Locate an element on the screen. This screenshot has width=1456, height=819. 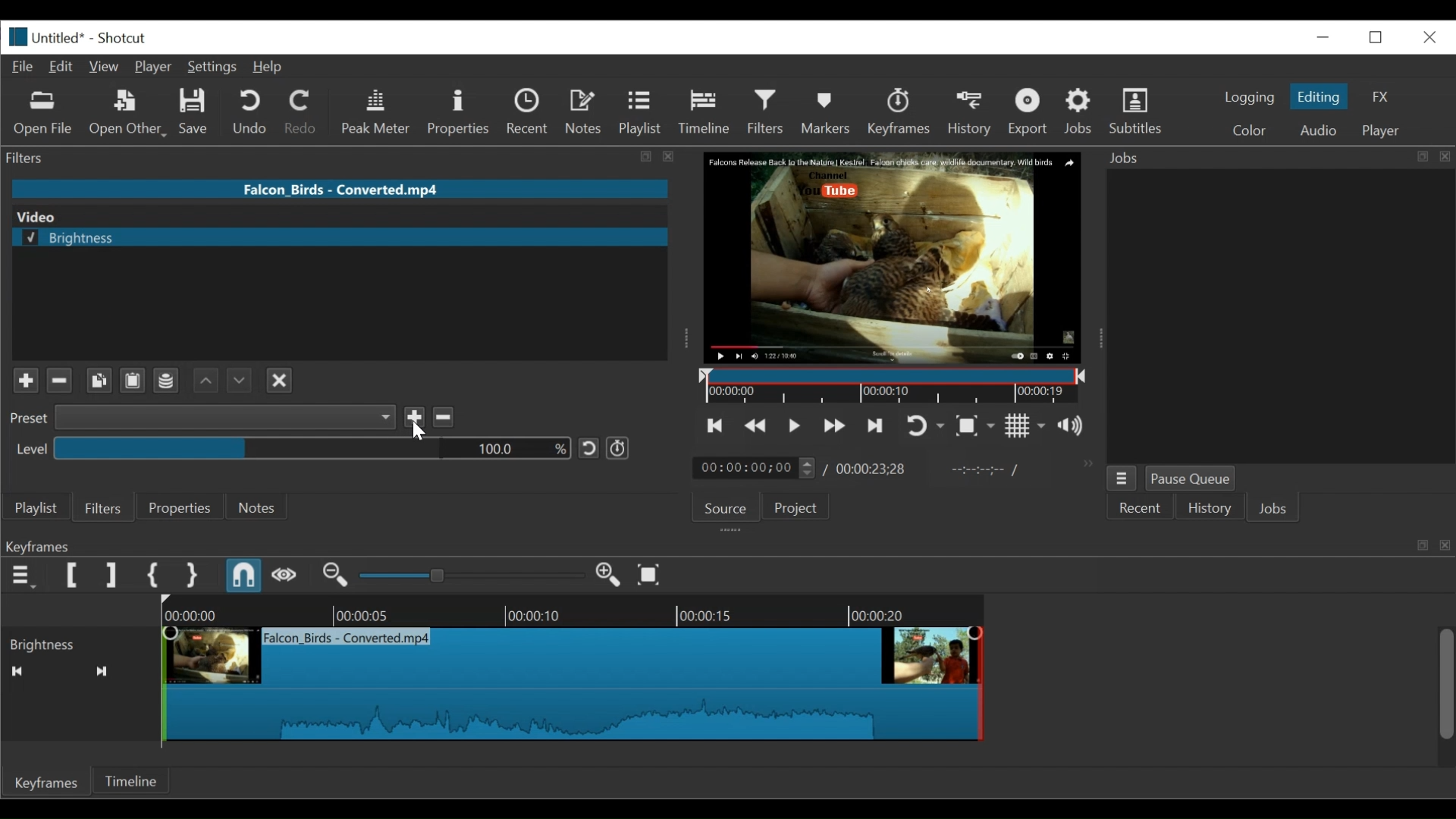
Seek backwards is located at coordinates (16, 671).